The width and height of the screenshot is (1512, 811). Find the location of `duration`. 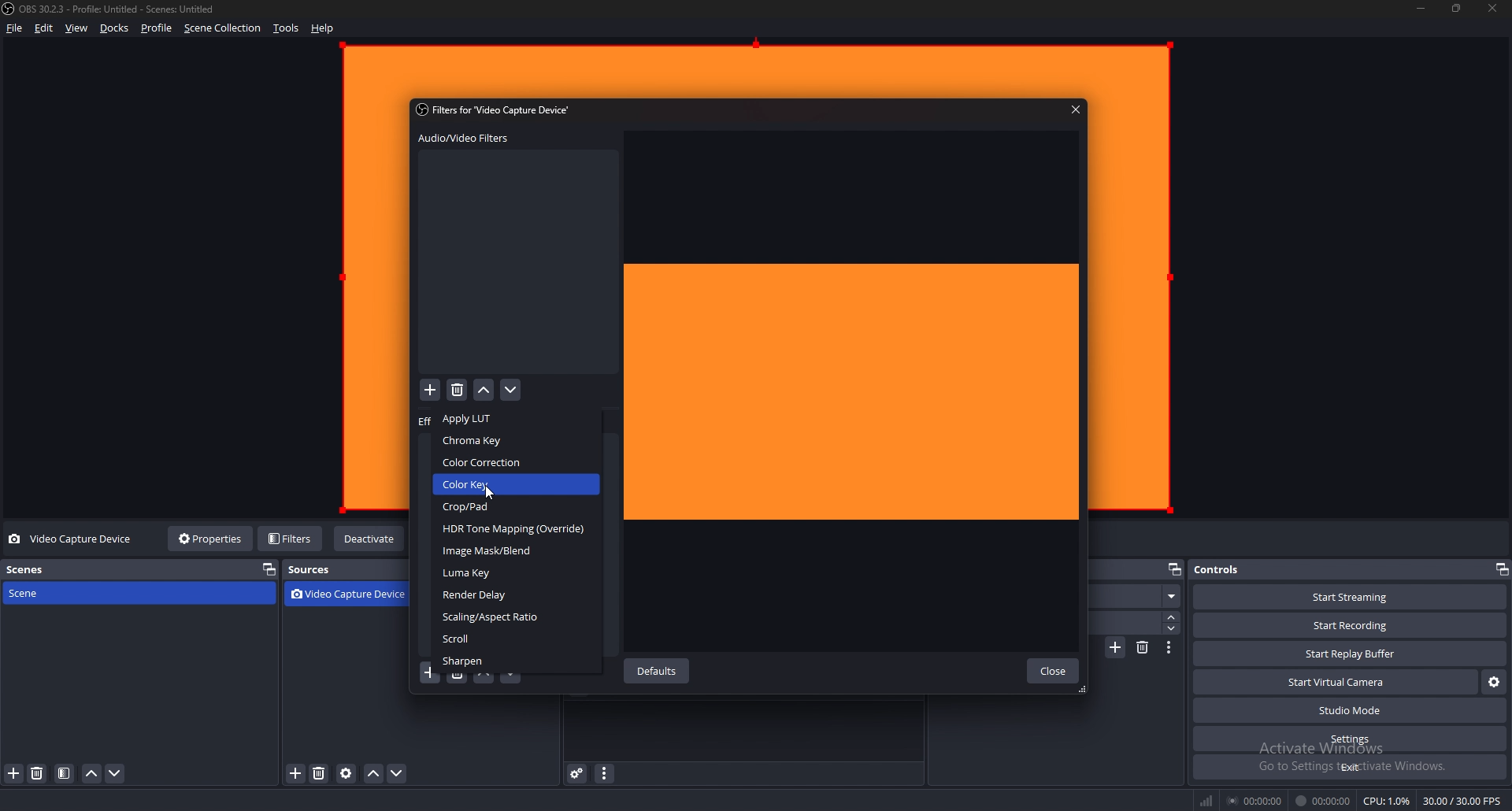

duration is located at coordinates (1129, 622).